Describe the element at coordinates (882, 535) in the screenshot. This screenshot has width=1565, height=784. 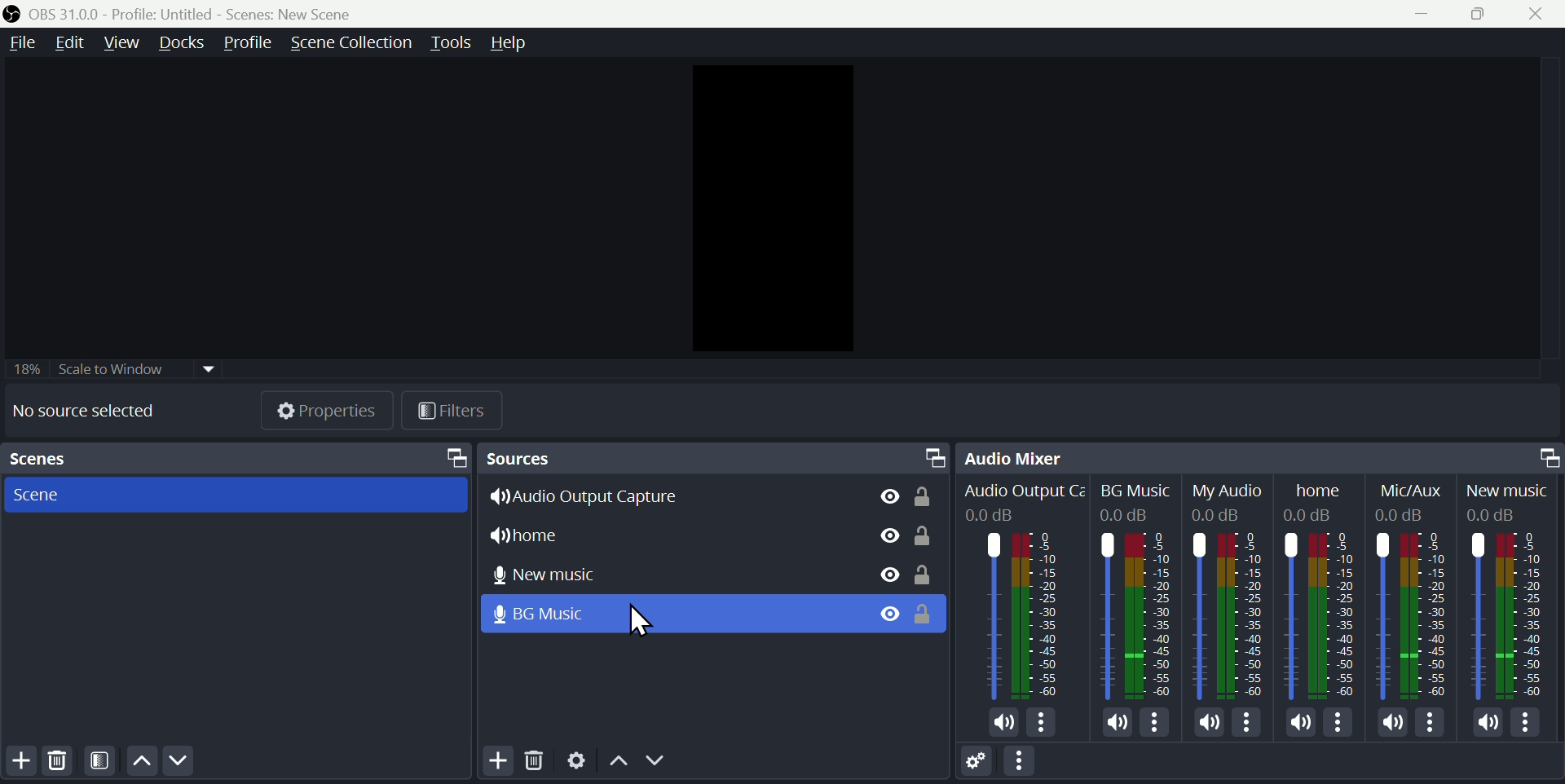
I see `eye` at that location.